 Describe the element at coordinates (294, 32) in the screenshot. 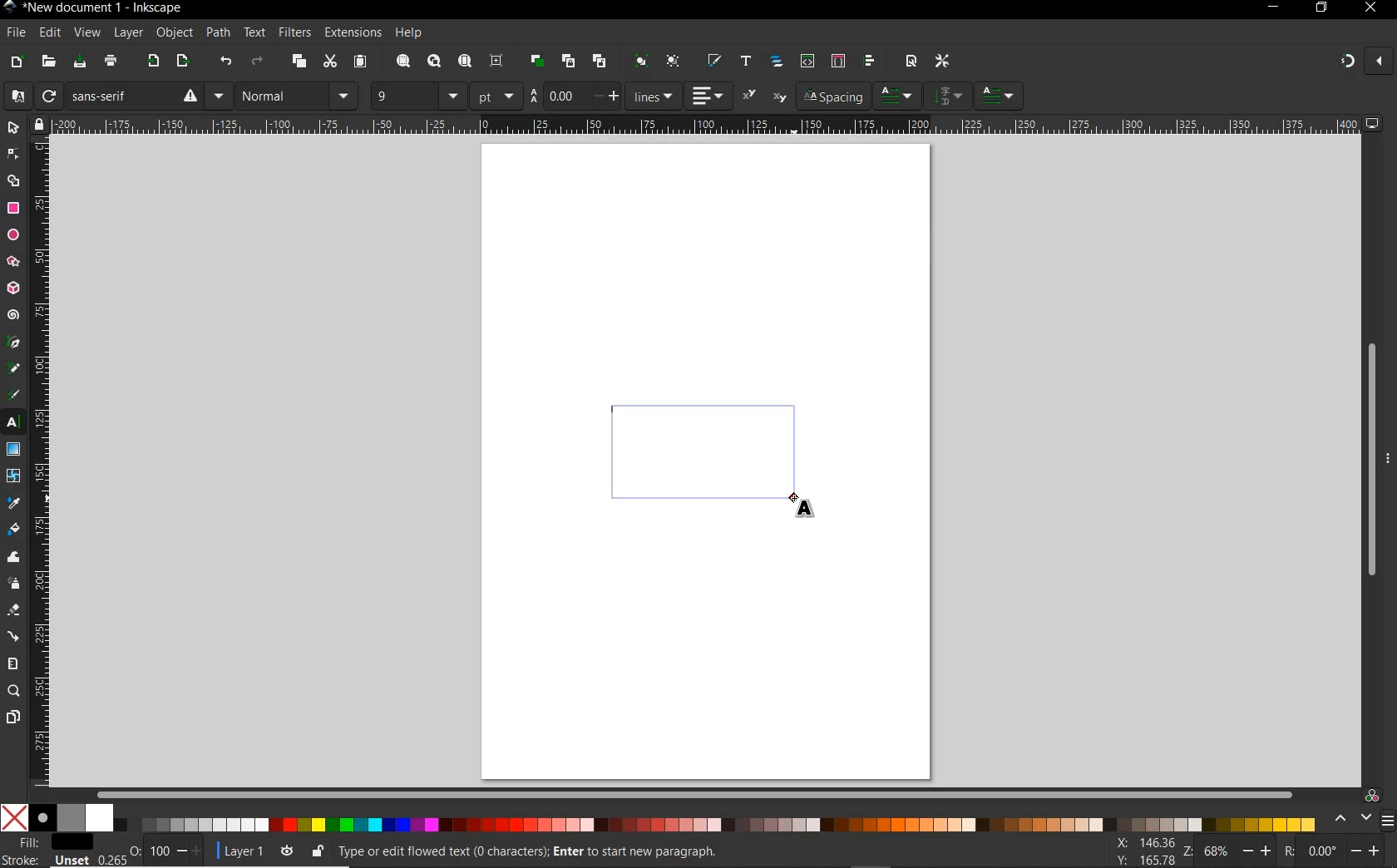

I see `filters` at that location.